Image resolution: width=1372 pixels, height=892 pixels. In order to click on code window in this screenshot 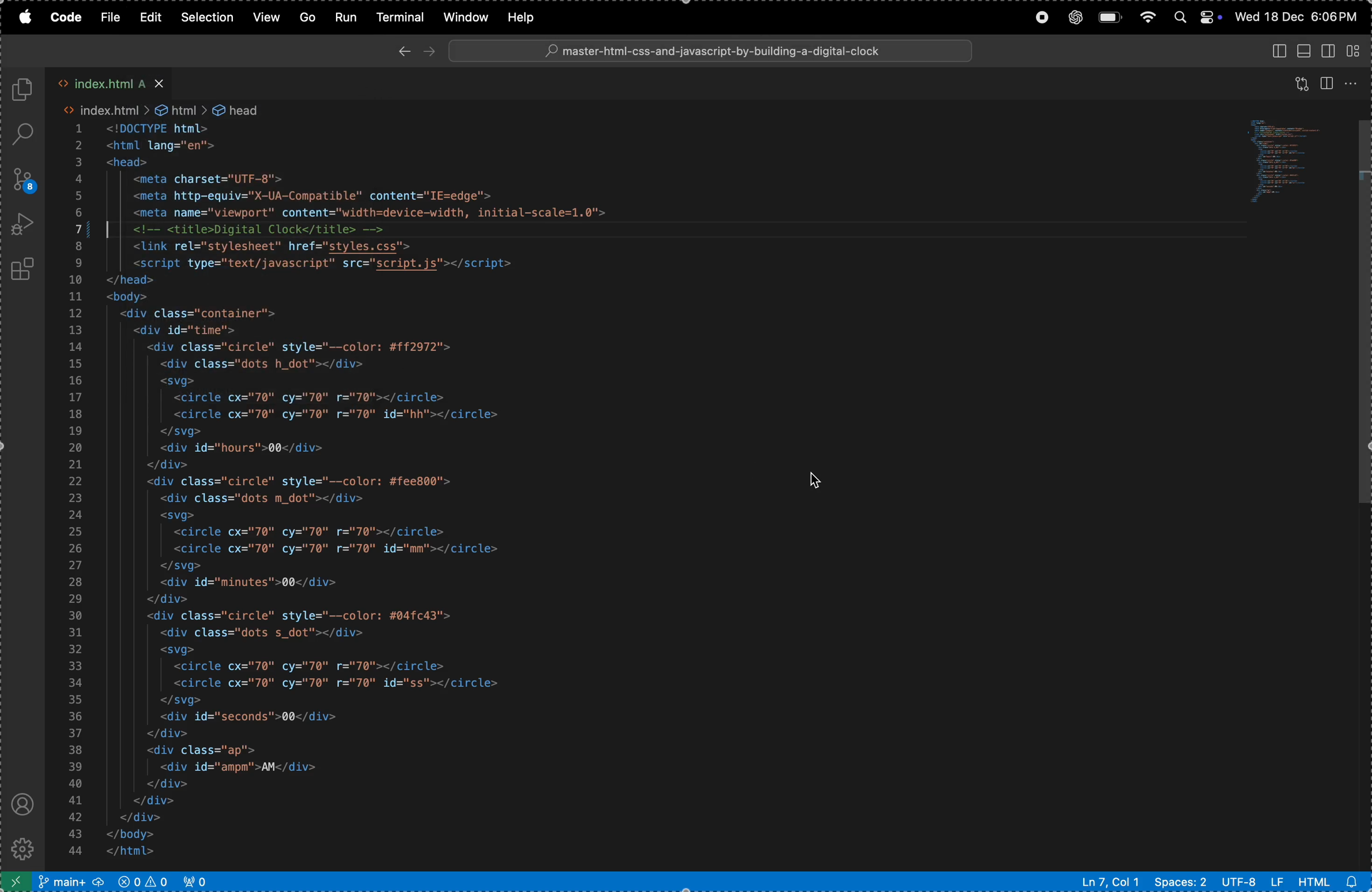, I will do `click(1284, 165)`.